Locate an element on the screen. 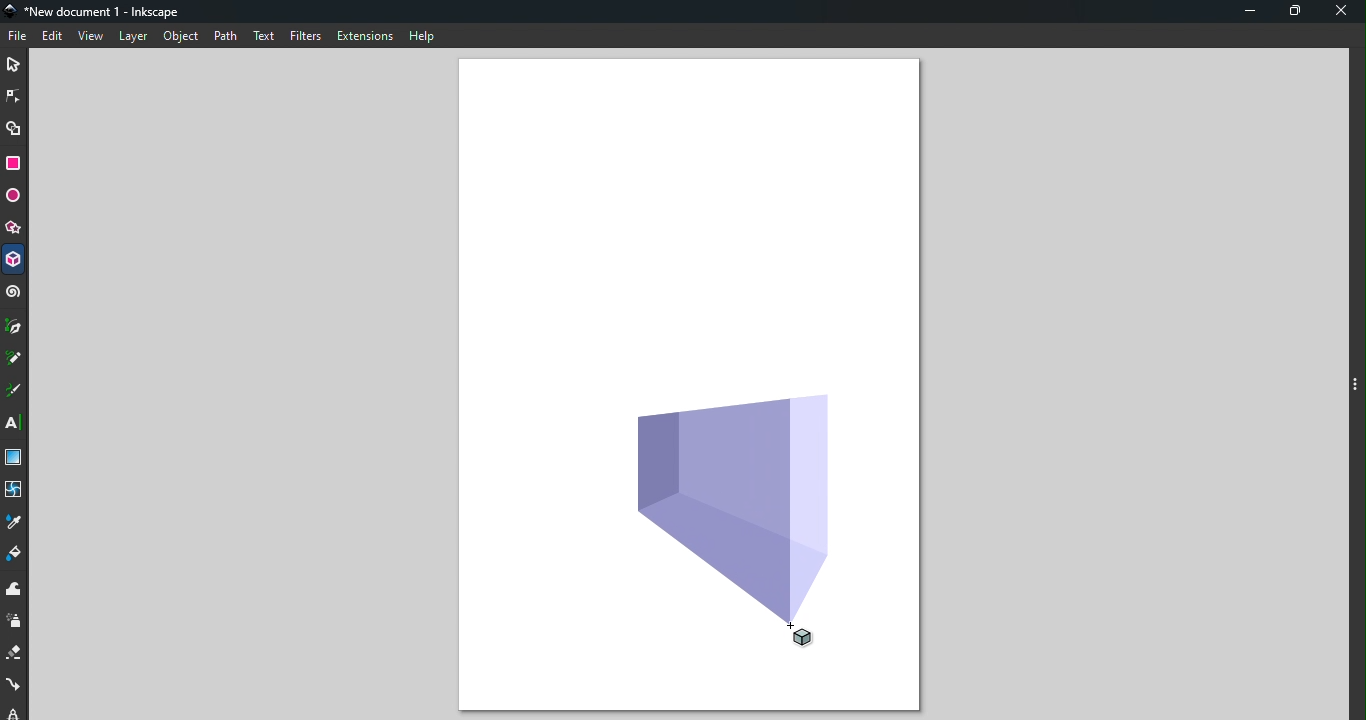 The image size is (1366, 720). Close is located at coordinates (1341, 14).